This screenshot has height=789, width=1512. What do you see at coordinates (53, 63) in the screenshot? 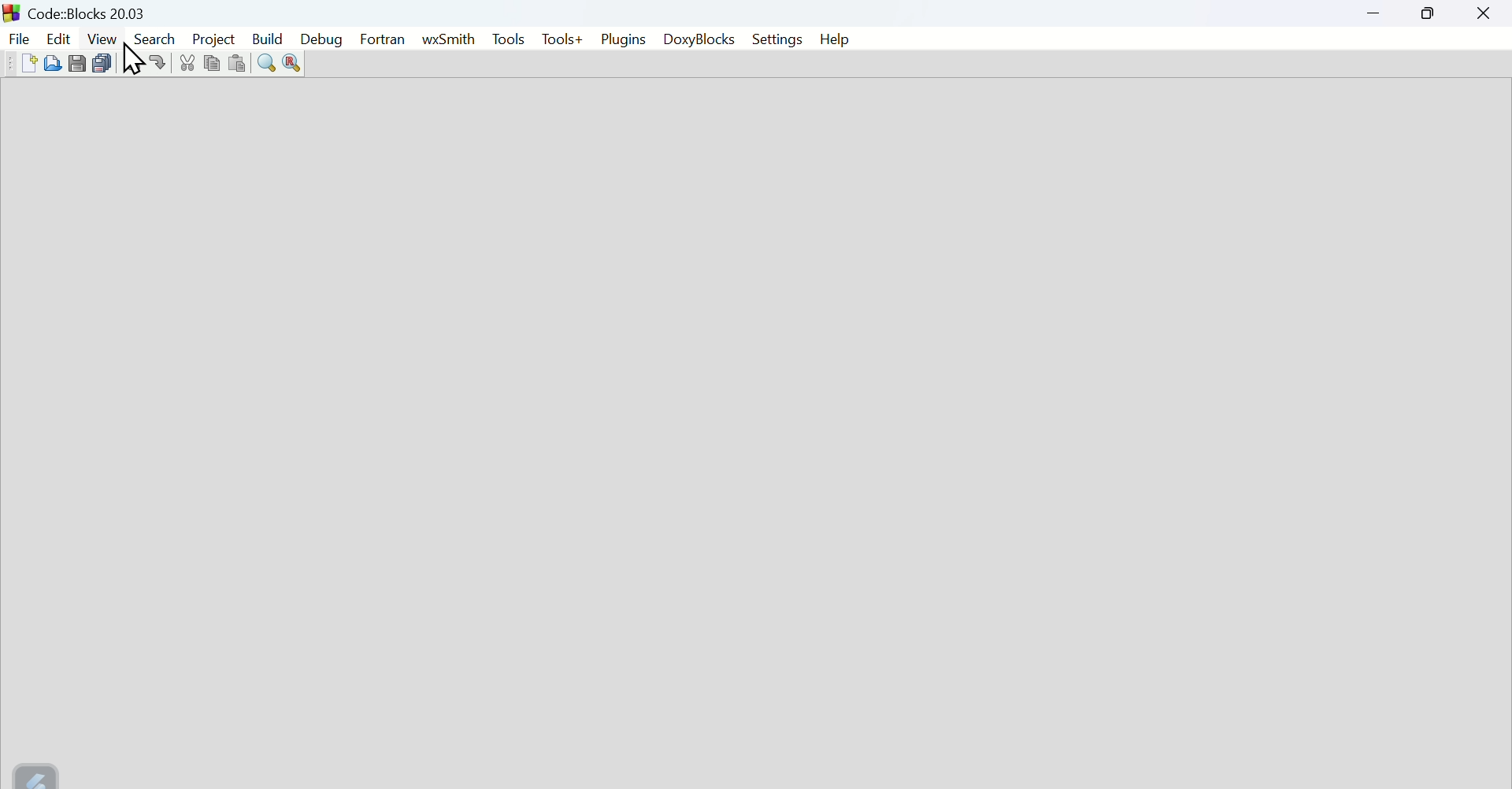
I see `Open file` at bounding box center [53, 63].